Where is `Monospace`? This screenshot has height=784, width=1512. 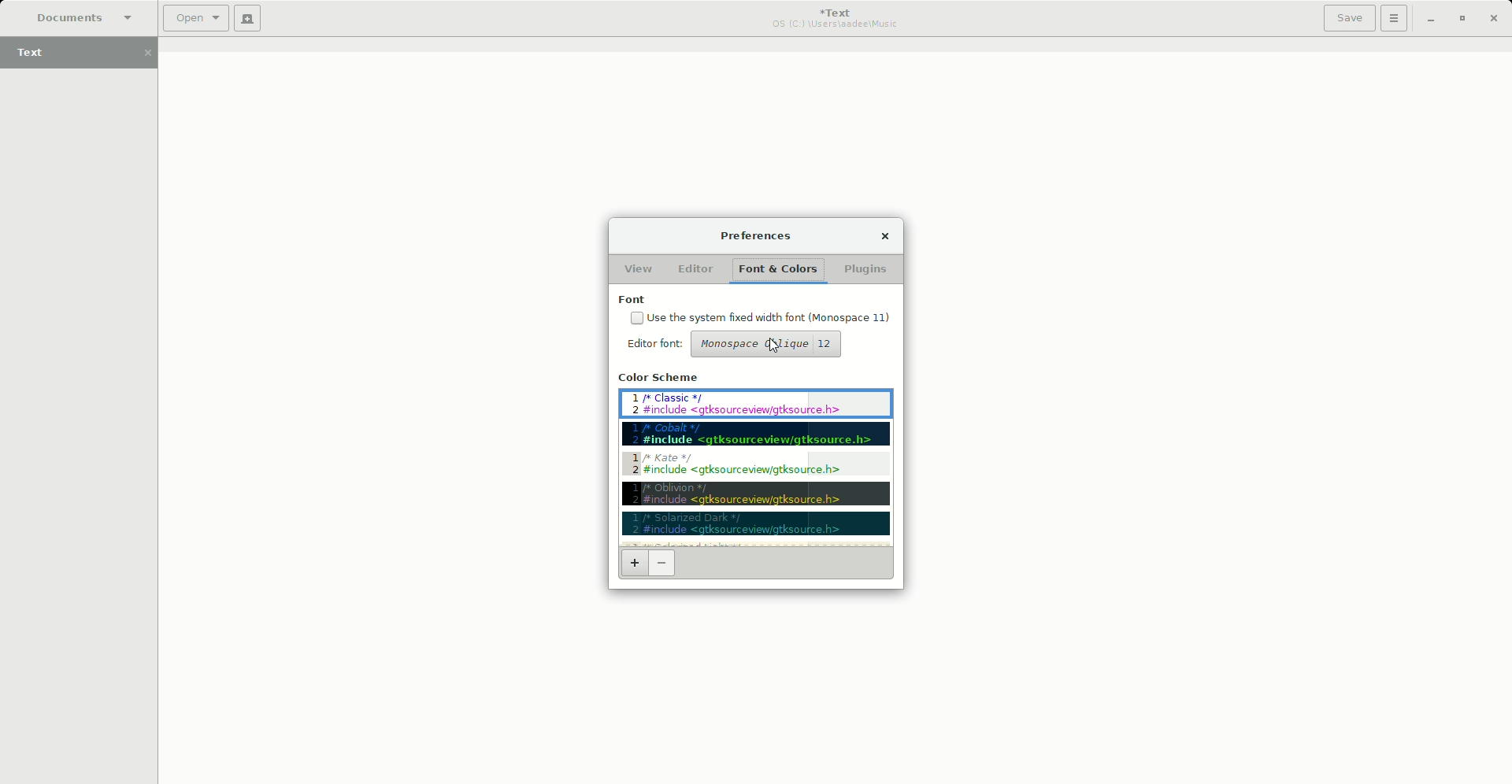
Monospace is located at coordinates (769, 346).